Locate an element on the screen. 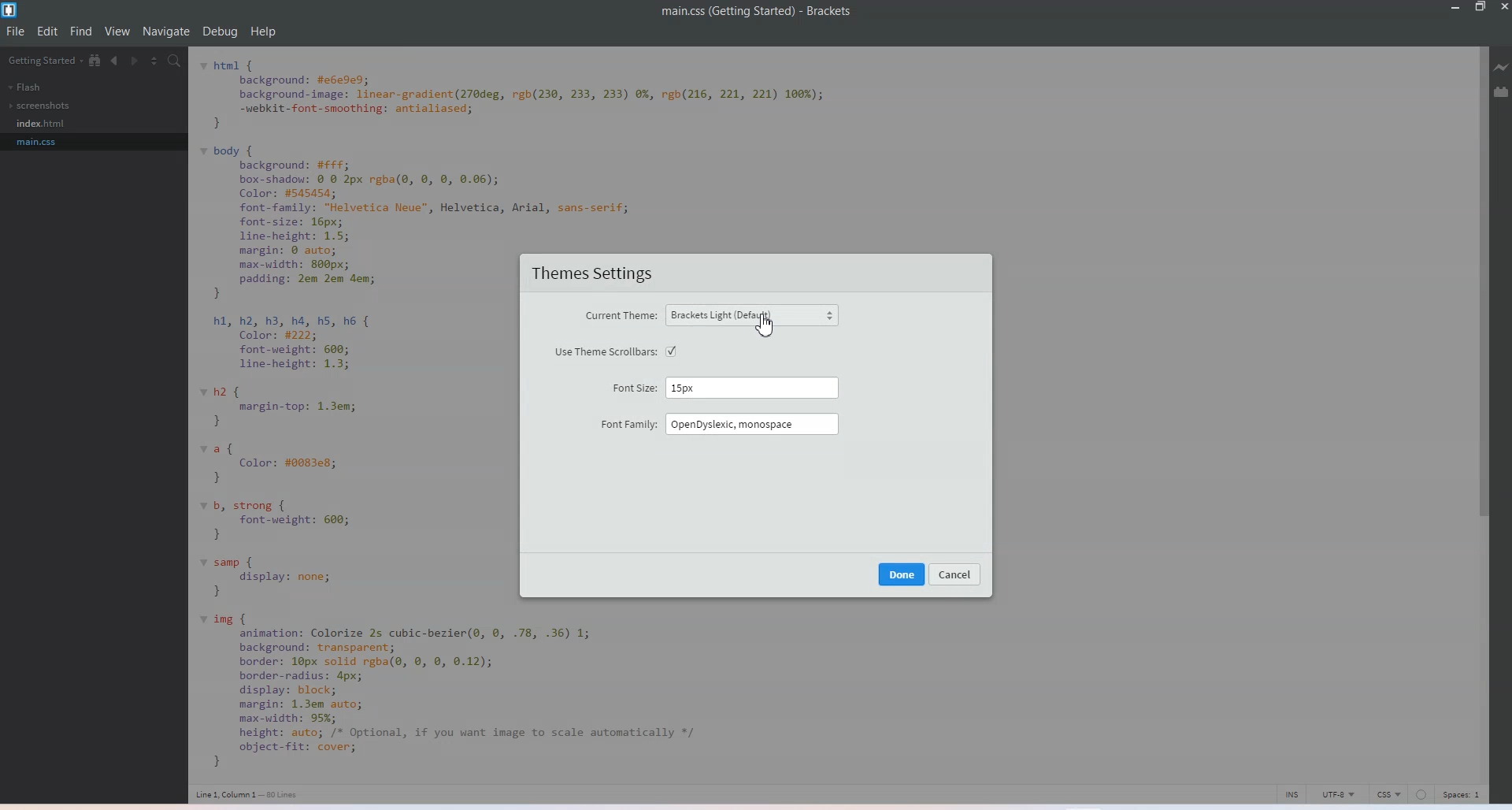 The width and height of the screenshot is (1512, 810). Show in file tree is located at coordinates (96, 60).